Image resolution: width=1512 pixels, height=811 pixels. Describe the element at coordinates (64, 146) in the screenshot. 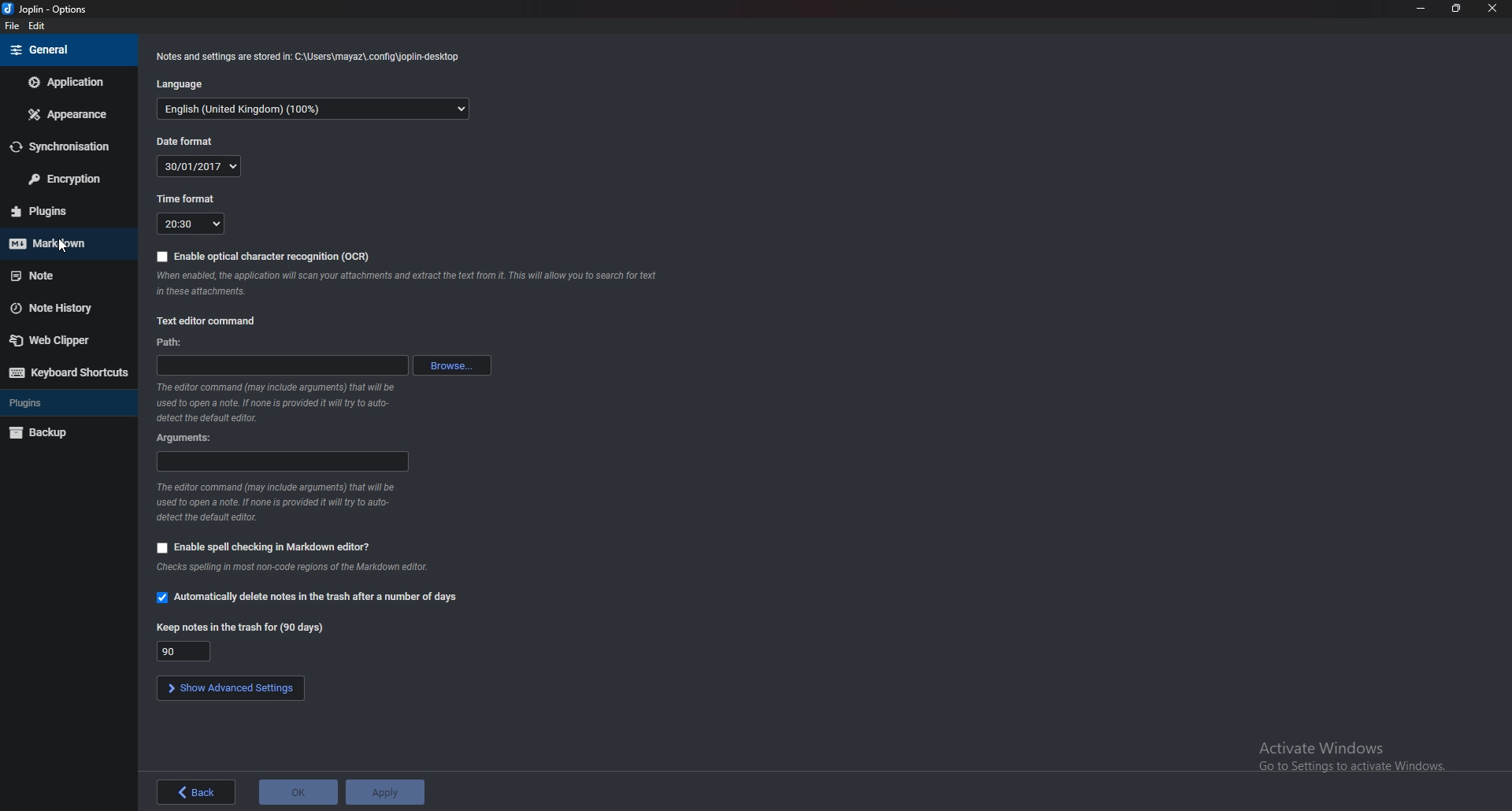

I see `Sync` at that location.